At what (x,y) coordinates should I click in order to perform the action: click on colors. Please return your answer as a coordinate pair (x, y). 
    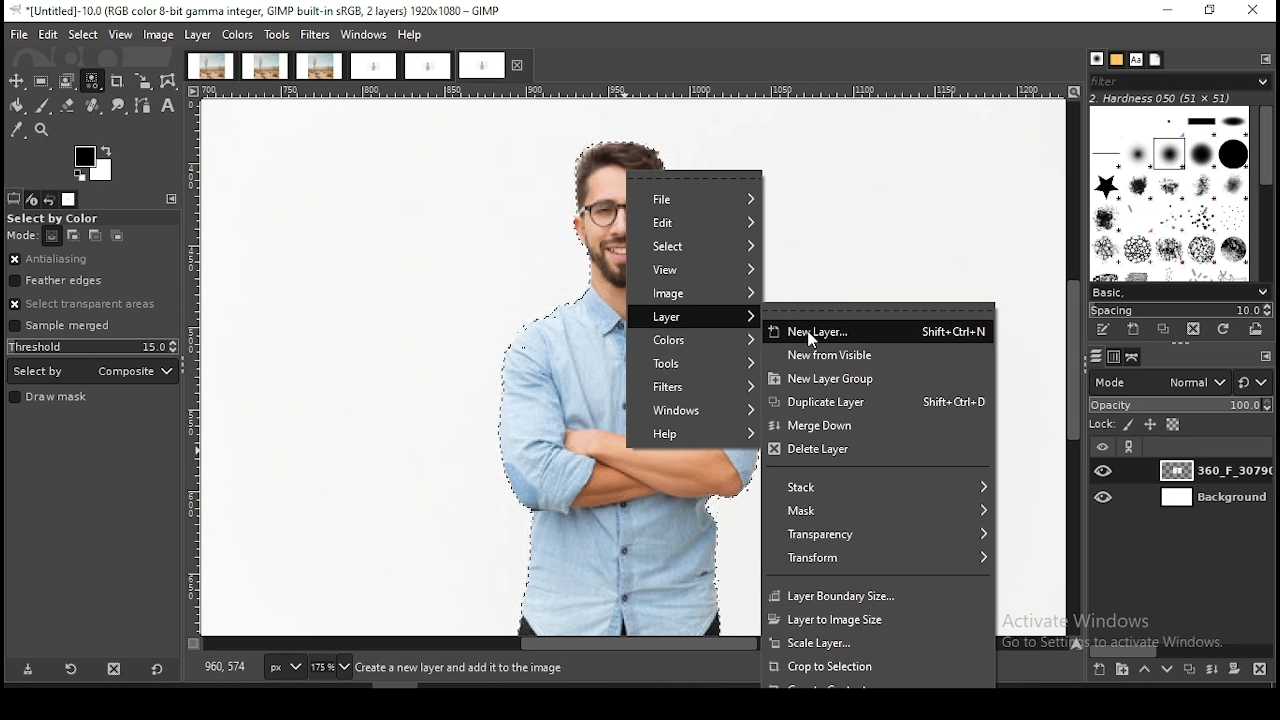
    Looking at the image, I should click on (237, 35).